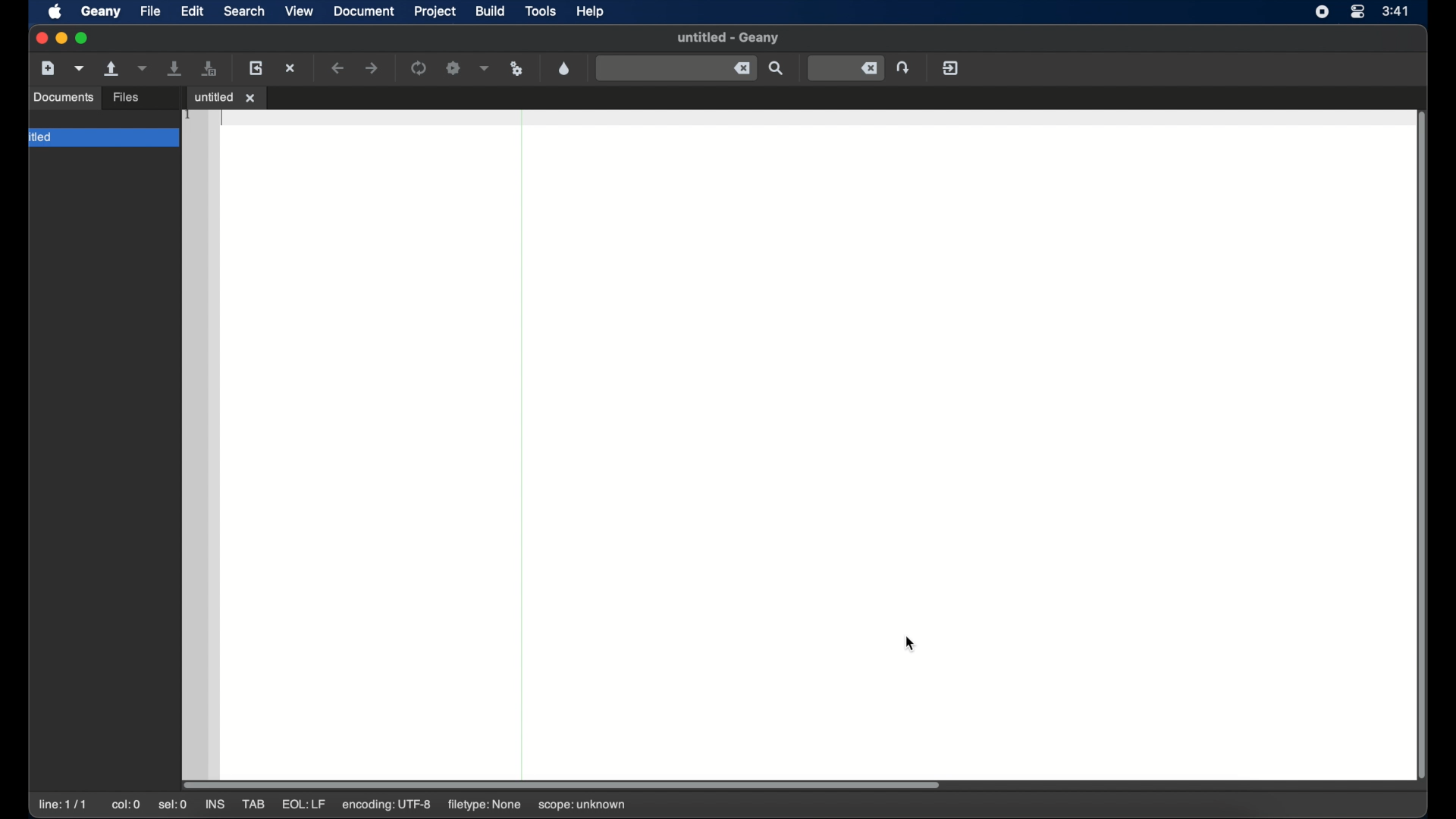  I want to click on sel: 0, so click(173, 805).